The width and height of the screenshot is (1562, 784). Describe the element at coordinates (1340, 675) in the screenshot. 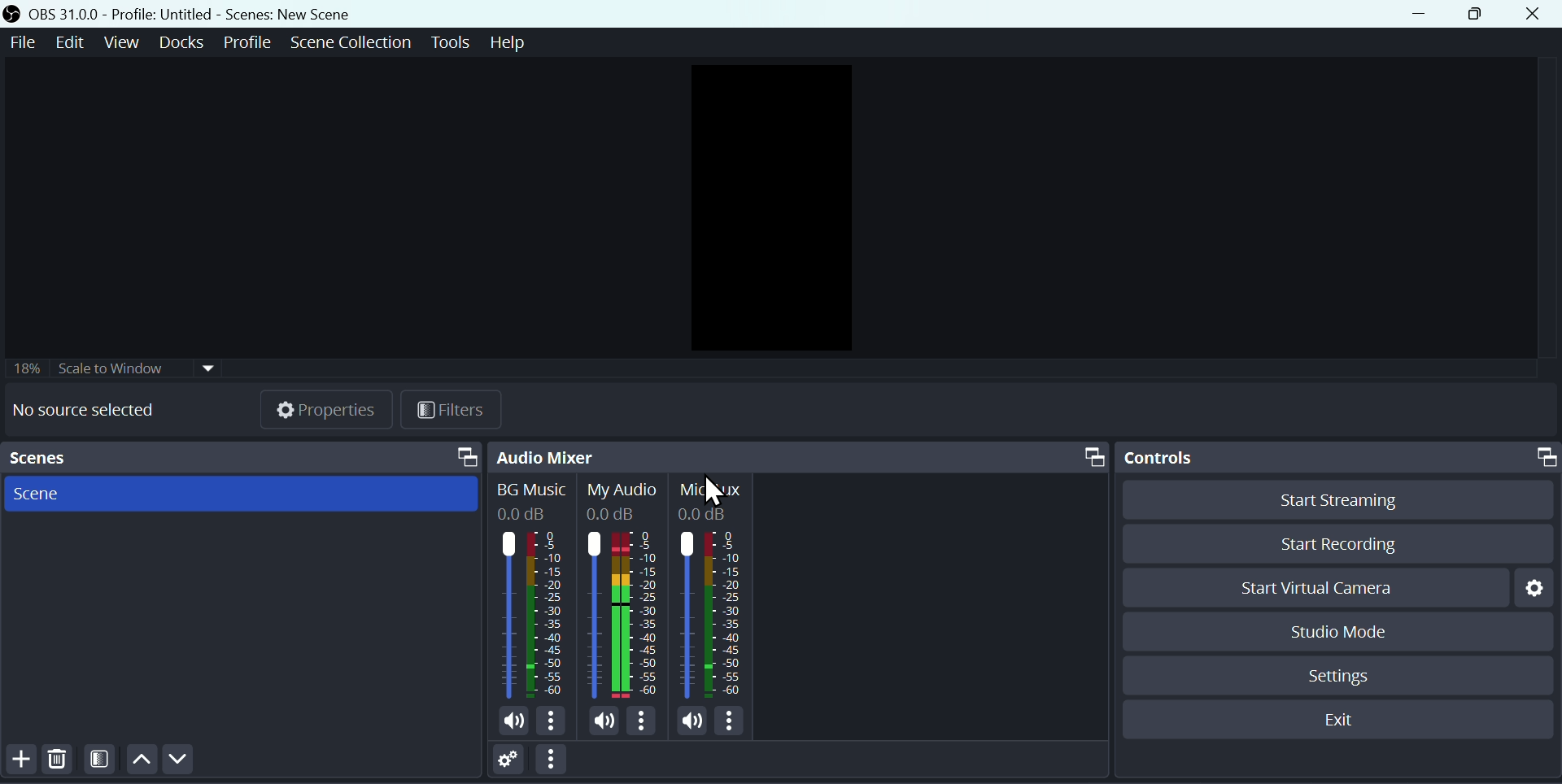

I see `Settings` at that location.